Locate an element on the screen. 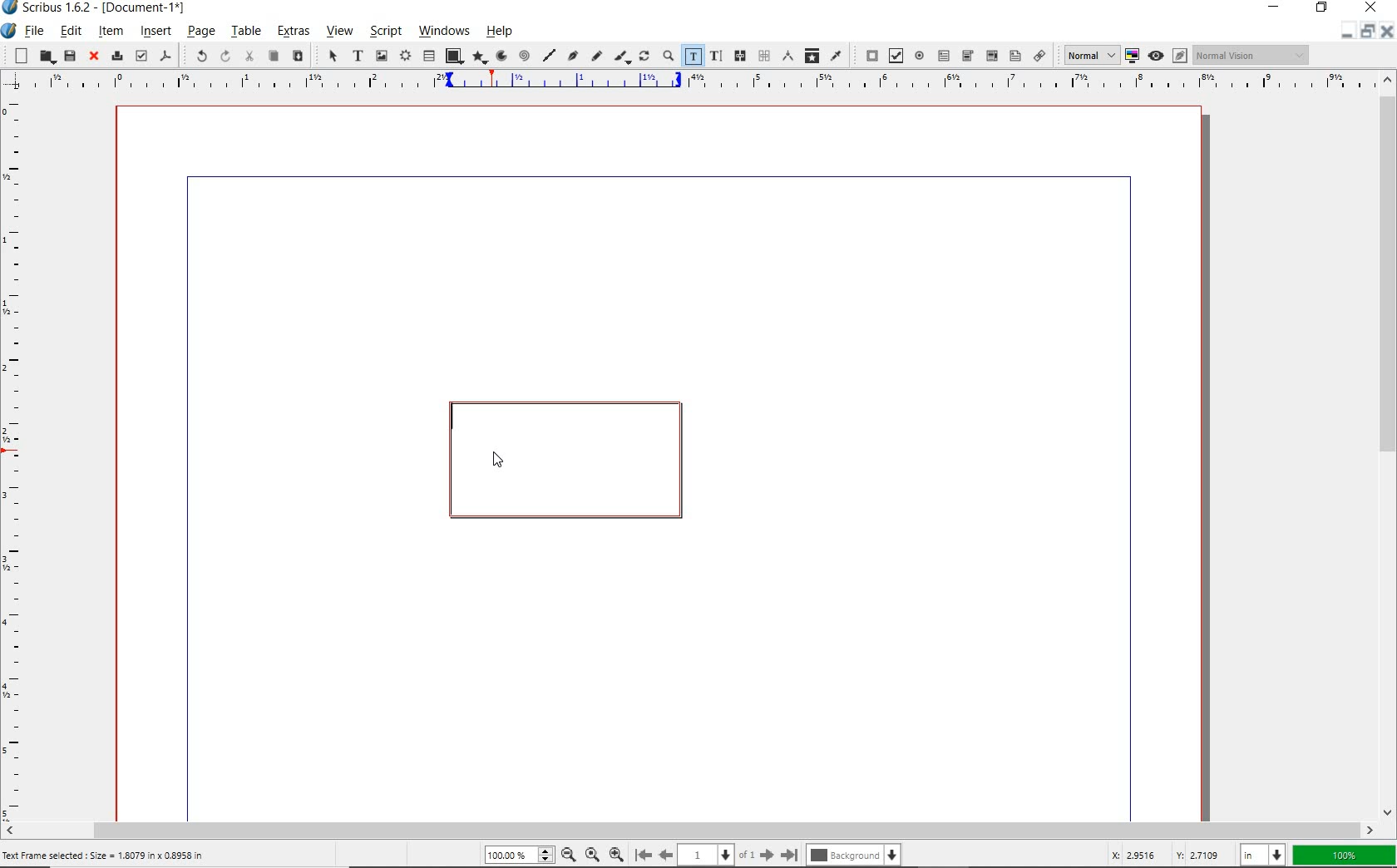 Image resolution: width=1397 pixels, height=868 pixels. Last Page is located at coordinates (791, 855).